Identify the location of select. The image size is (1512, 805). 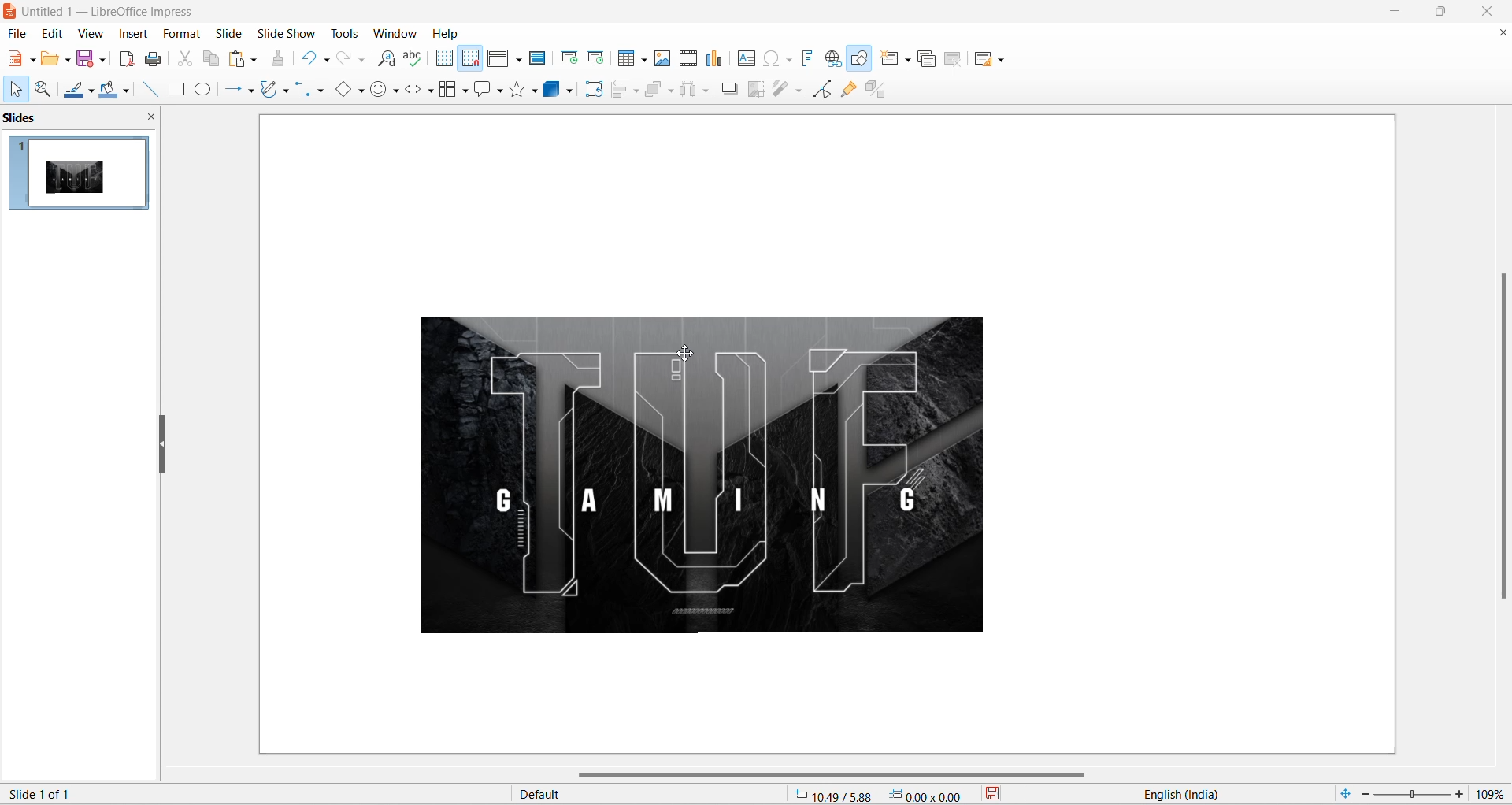
(13, 91).